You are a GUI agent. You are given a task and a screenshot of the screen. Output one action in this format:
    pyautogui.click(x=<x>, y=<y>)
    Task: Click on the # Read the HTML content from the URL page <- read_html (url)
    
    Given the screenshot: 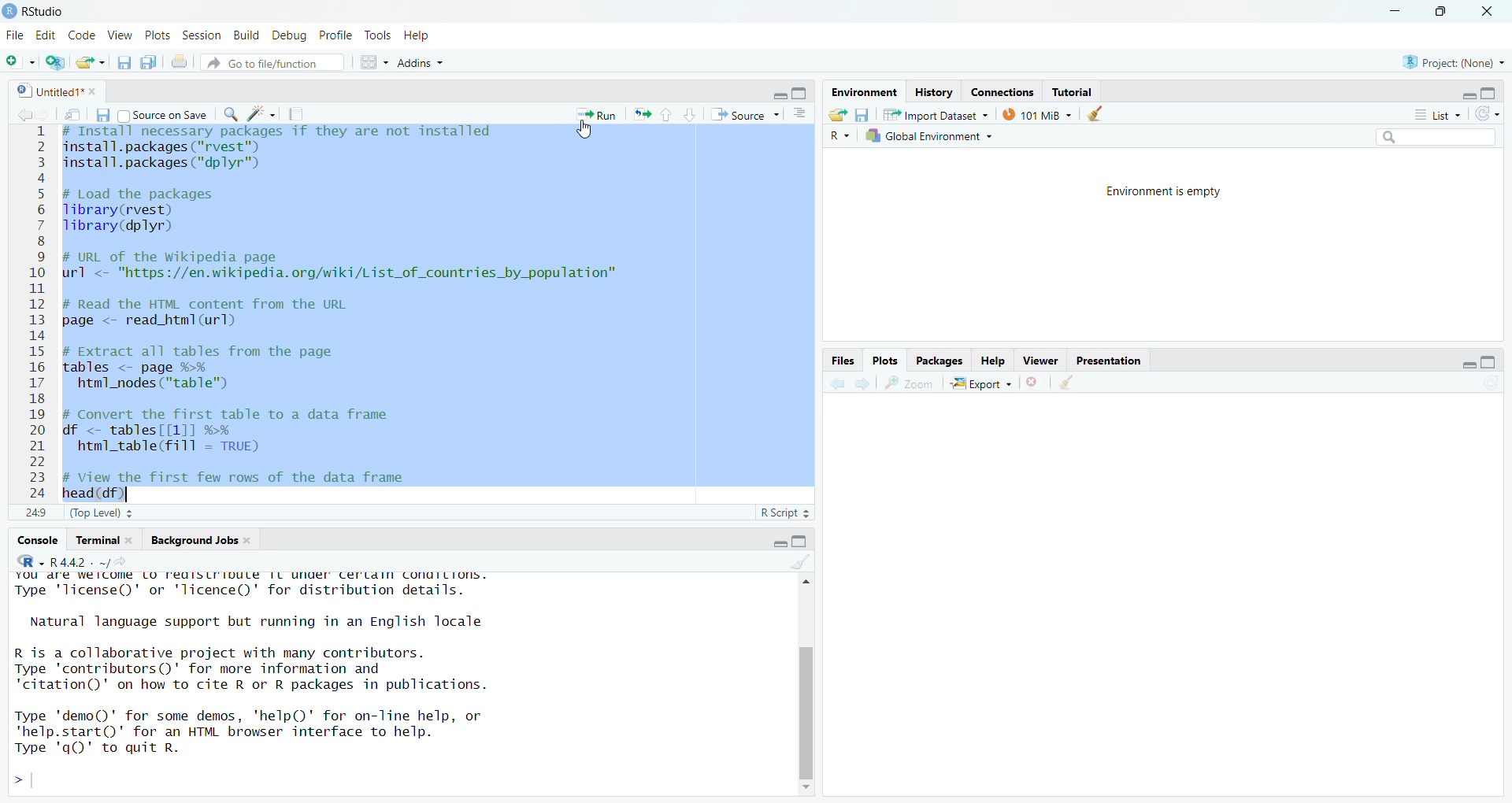 What is the action you would take?
    pyautogui.click(x=215, y=313)
    